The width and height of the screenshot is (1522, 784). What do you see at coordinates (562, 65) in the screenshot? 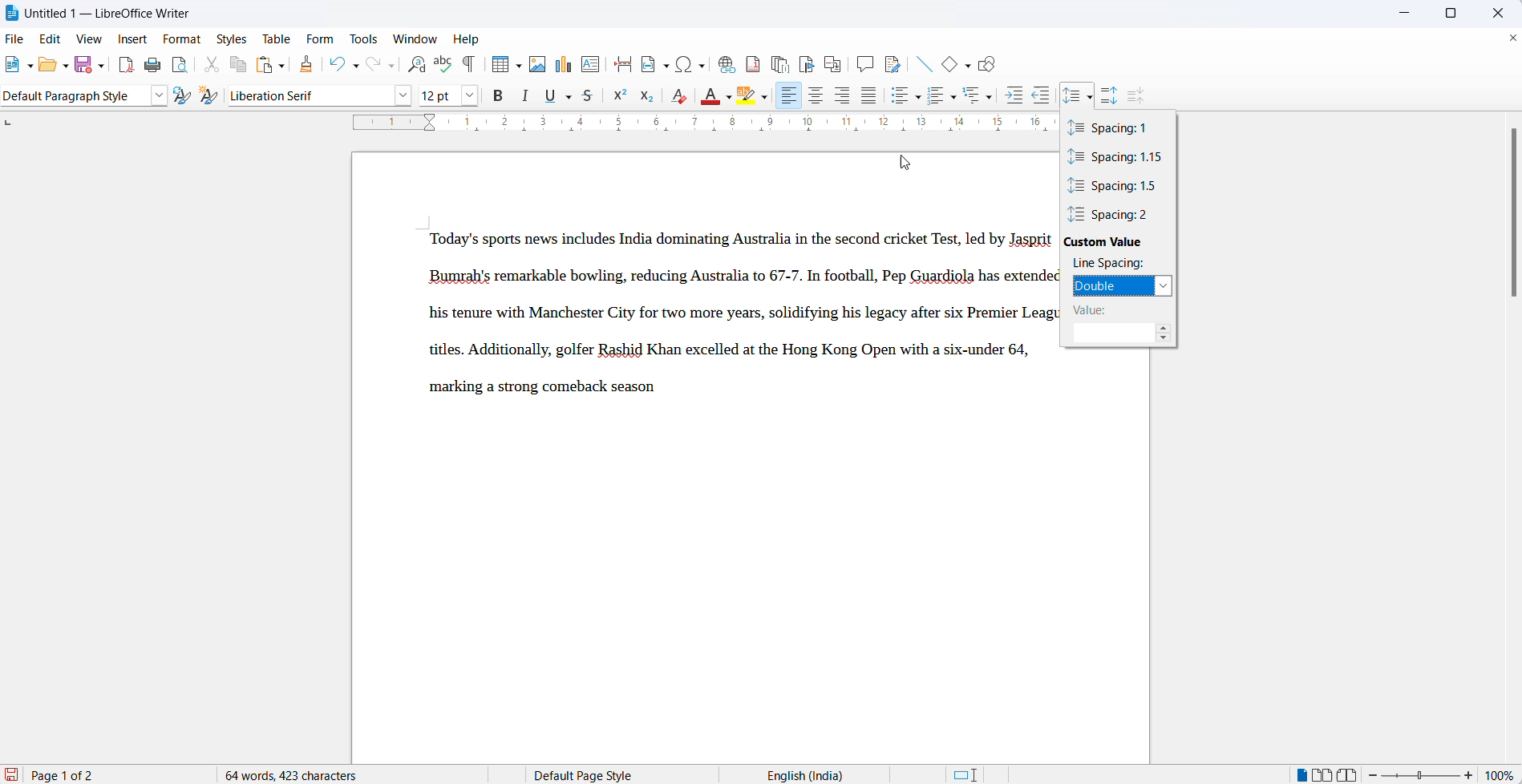
I see `insert charts` at bounding box center [562, 65].